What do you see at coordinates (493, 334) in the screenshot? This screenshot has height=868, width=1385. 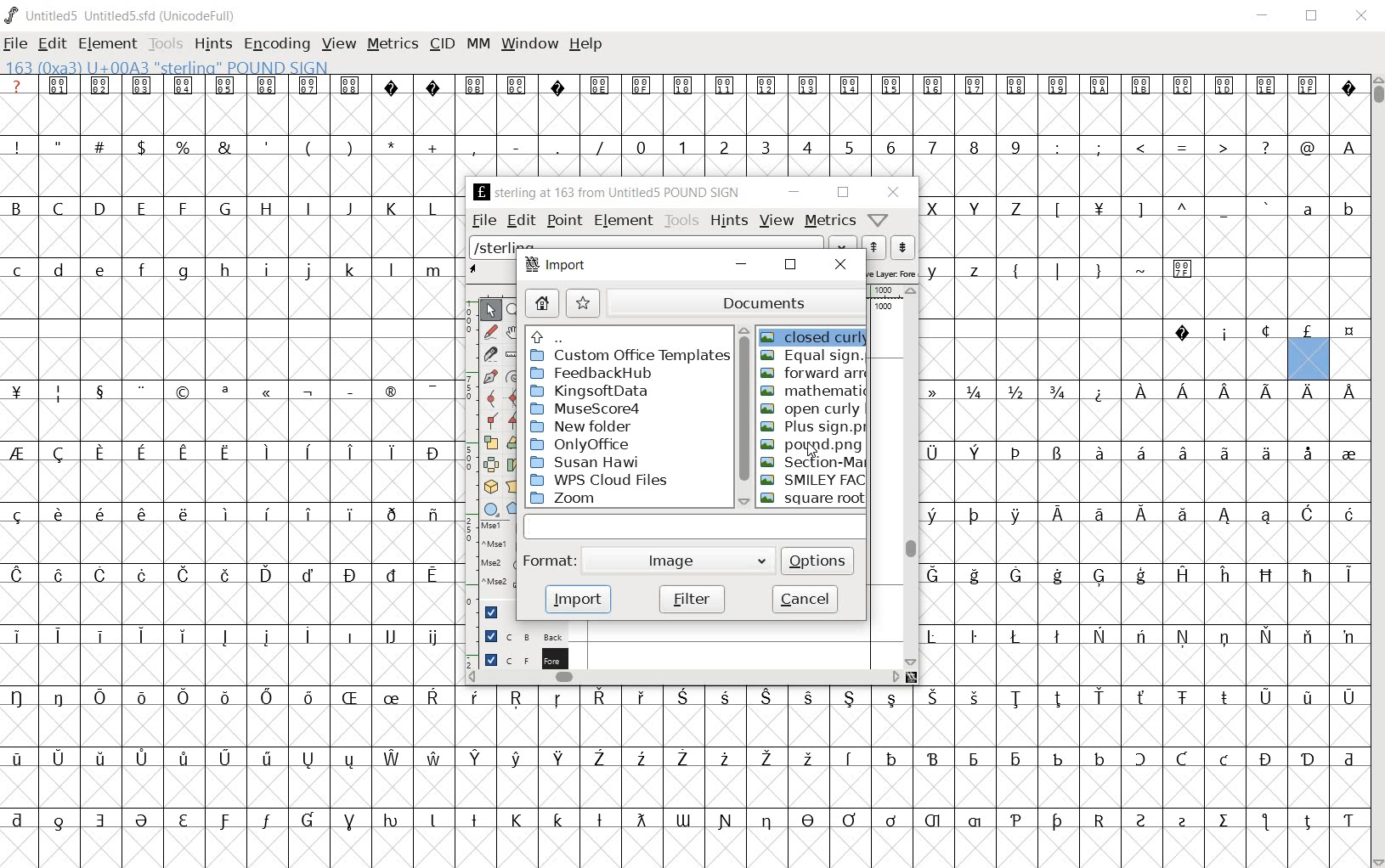 I see `freehand` at bounding box center [493, 334].